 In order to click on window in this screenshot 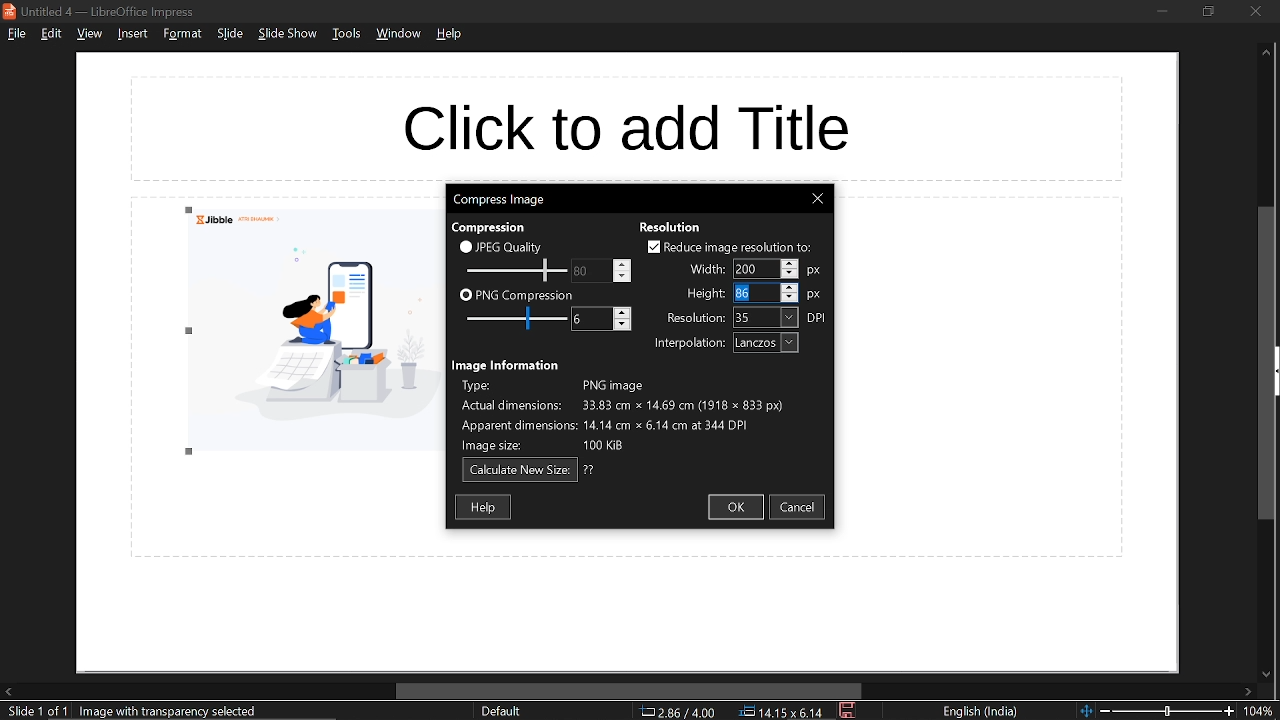, I will do `click(401, 34)`.